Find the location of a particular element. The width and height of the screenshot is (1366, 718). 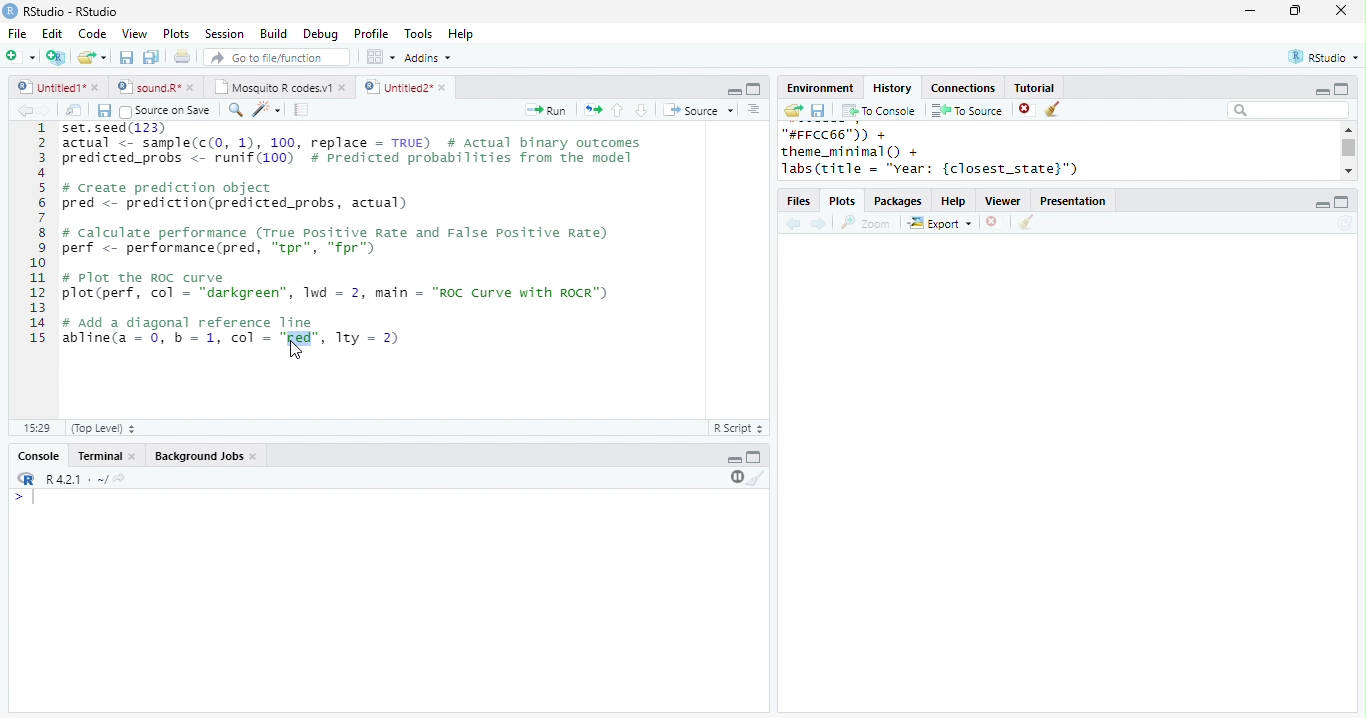

files is located at coordinates (800, 202).